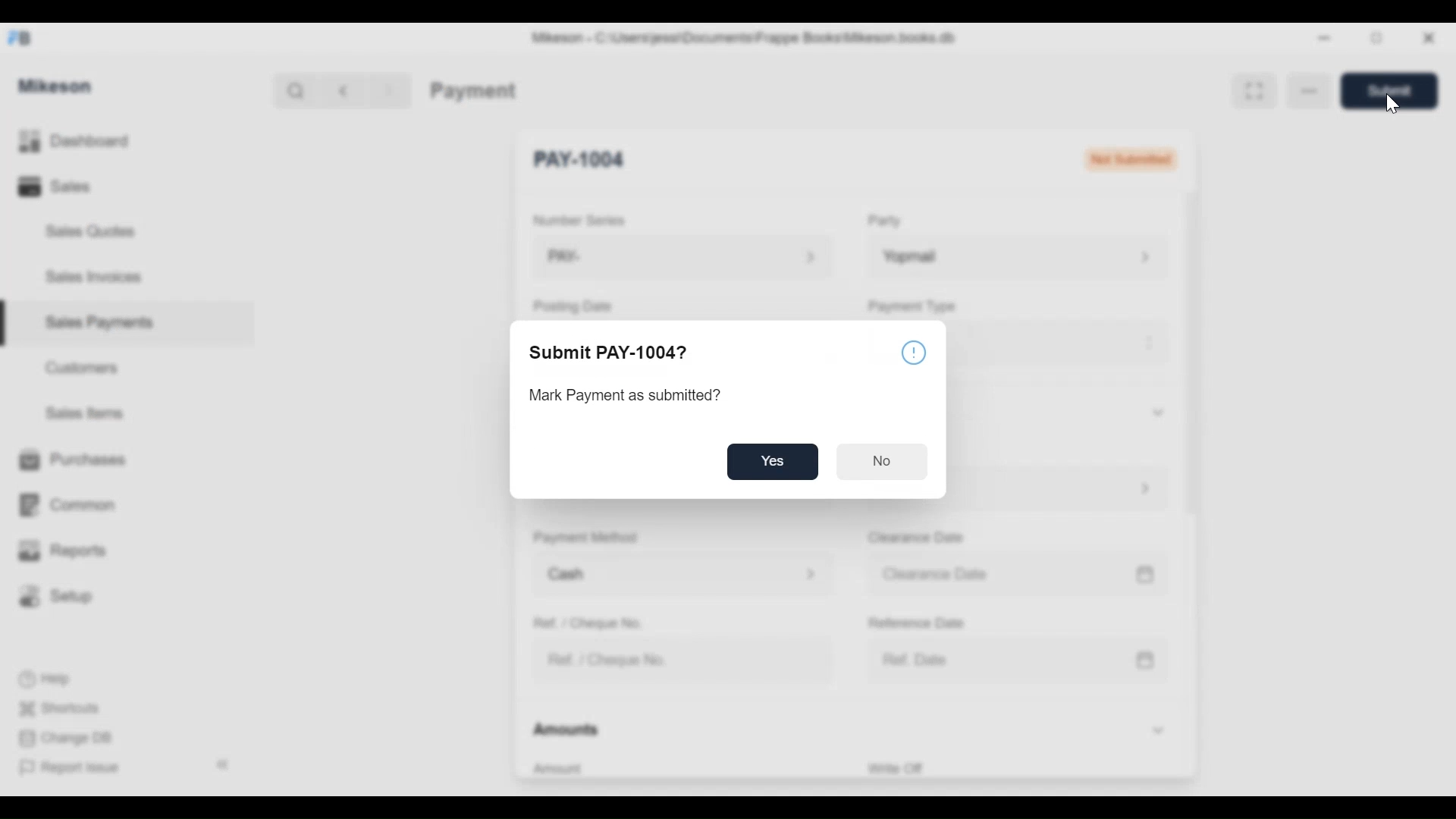 This screenshot has height=819, width=1456. What do you see at coordinates (350, 89) in the screenshot?
I see `Back` at bounding box center [350, 89].